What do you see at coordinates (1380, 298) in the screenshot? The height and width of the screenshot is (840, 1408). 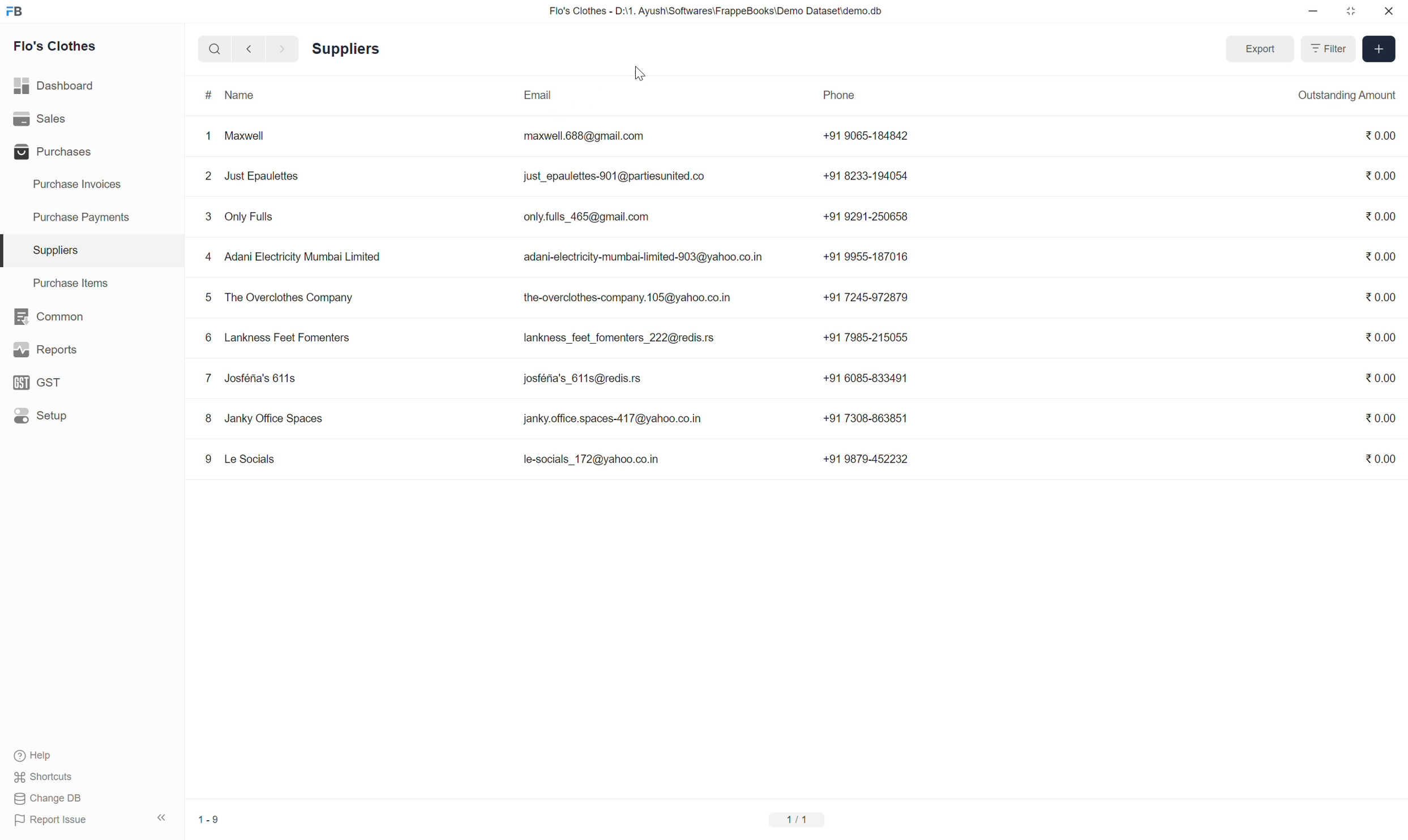 I see `0.00` at bounding box center [1380, 298].